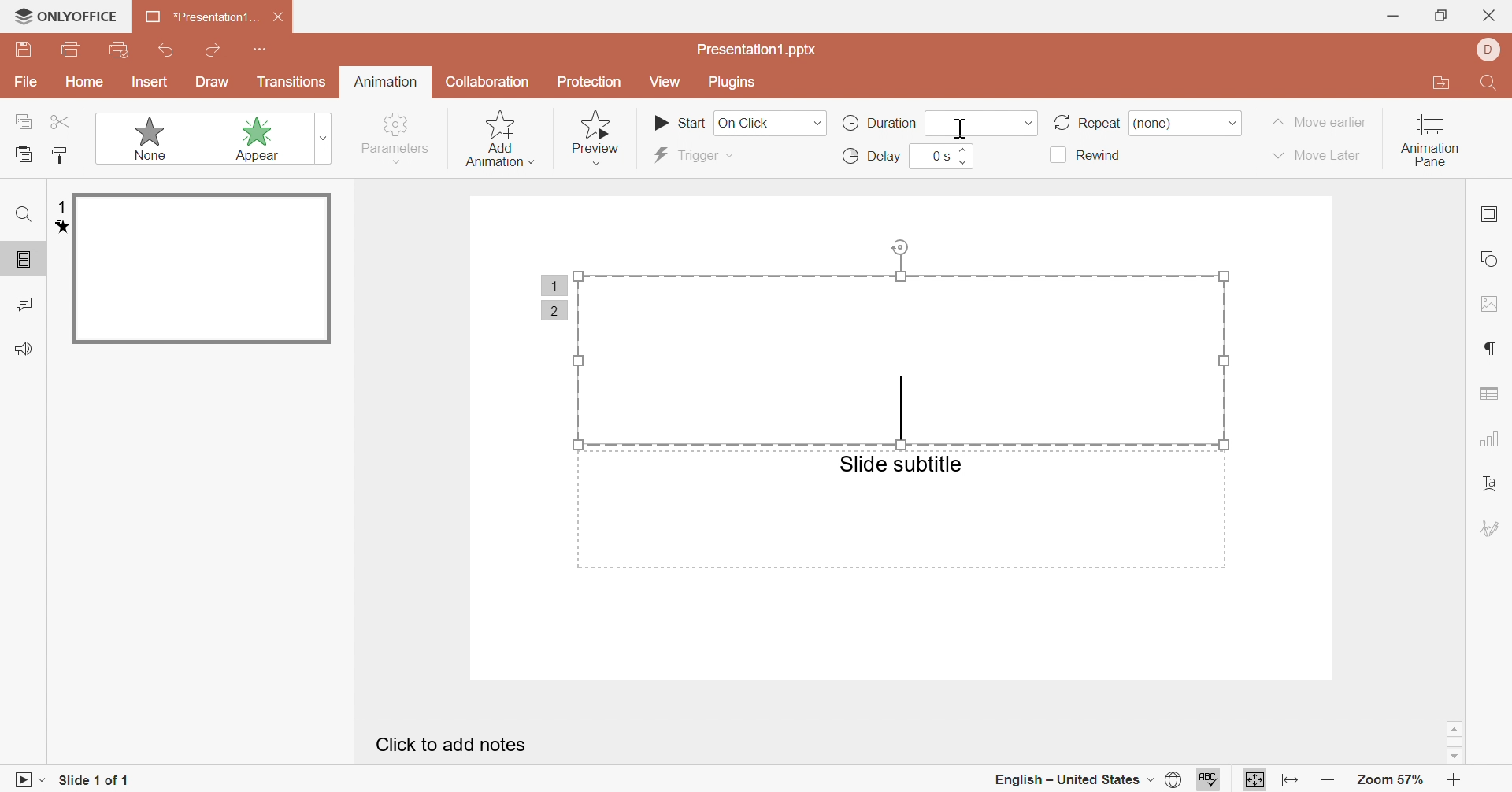 This screenshot has height=792, width=1512. What do you see at coordinates (759, 50) in the screenshot?
I see `presentation1.pptx` at bounding box center [759, 50].